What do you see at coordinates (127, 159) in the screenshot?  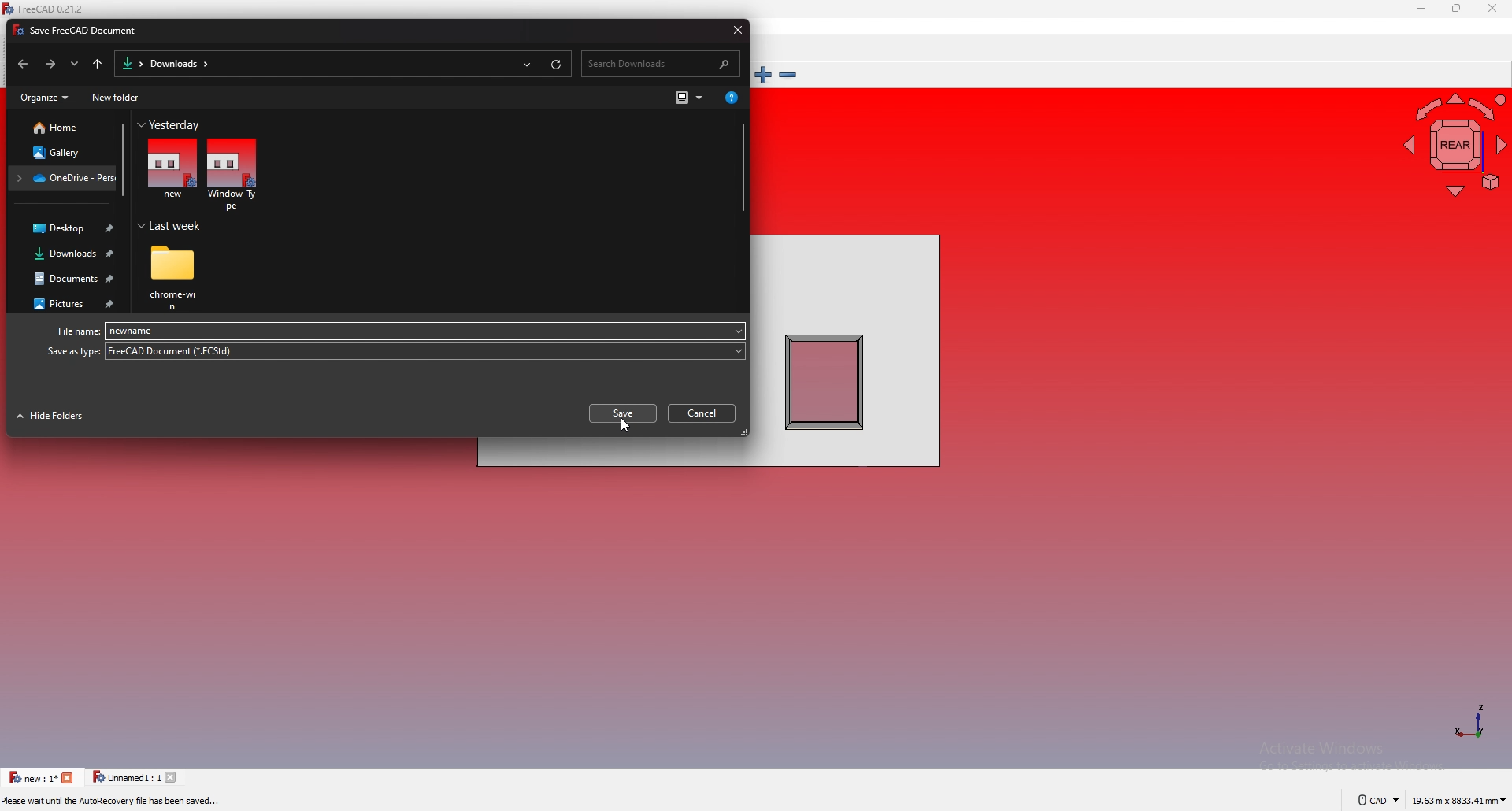 I see `scroll bar` at bounding box center [127, 159].